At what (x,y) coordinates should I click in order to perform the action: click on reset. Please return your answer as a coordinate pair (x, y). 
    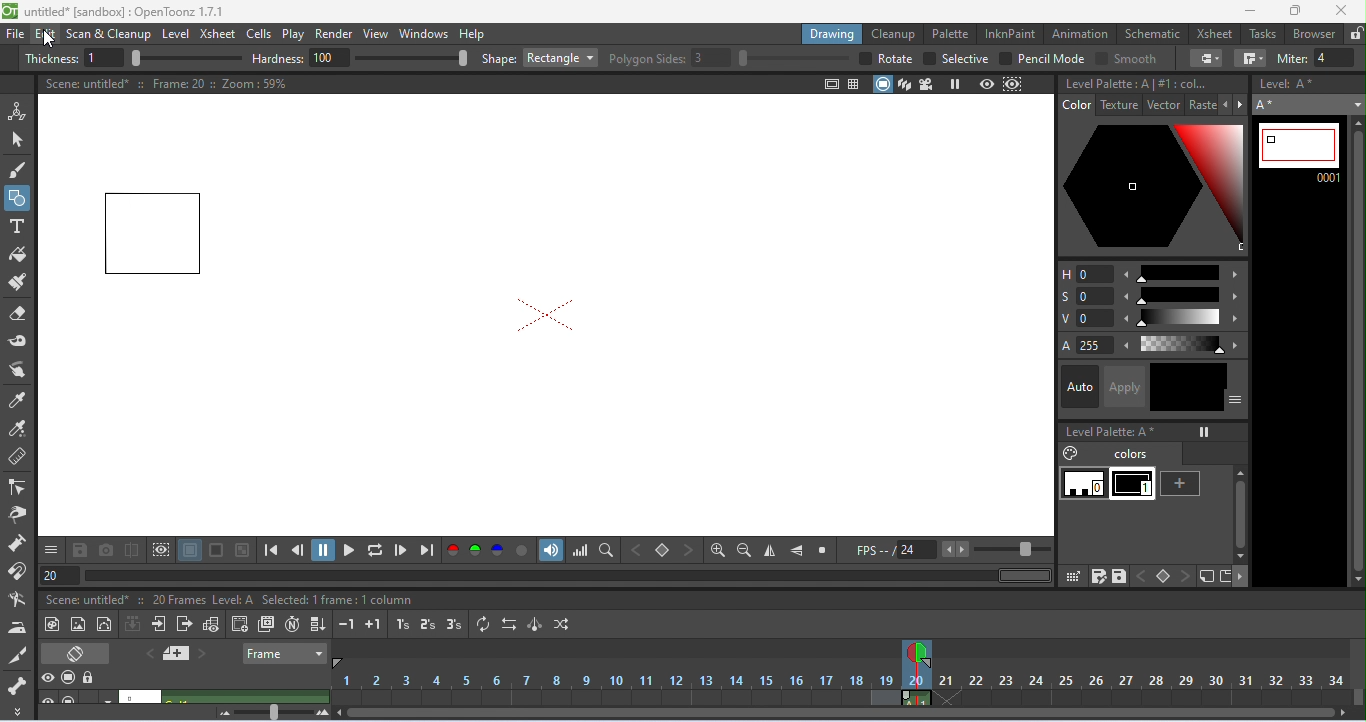
    Looking at the image, I should click on (821, 550).